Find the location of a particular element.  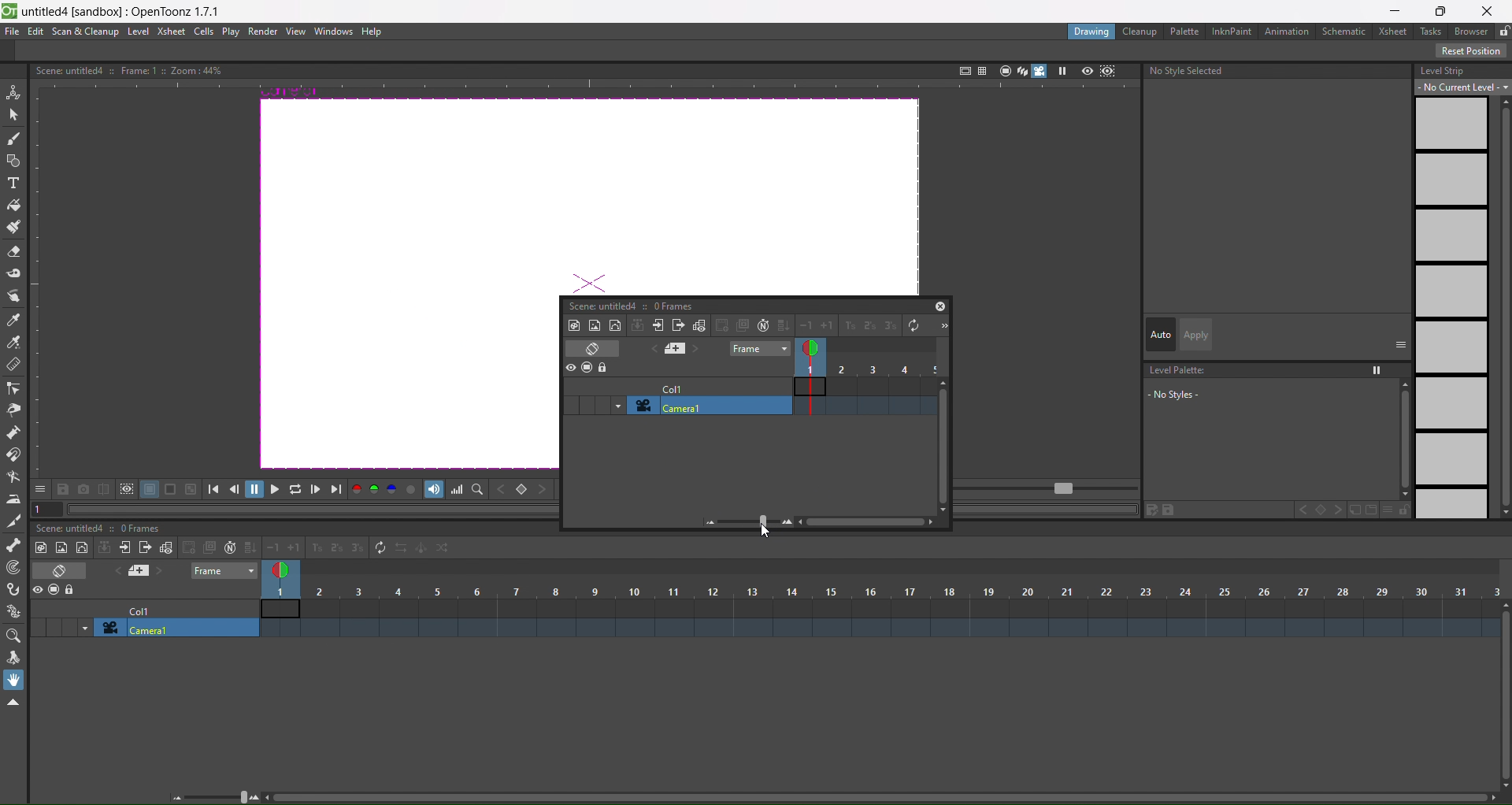

xsheet is located at coordinates (170, 31).